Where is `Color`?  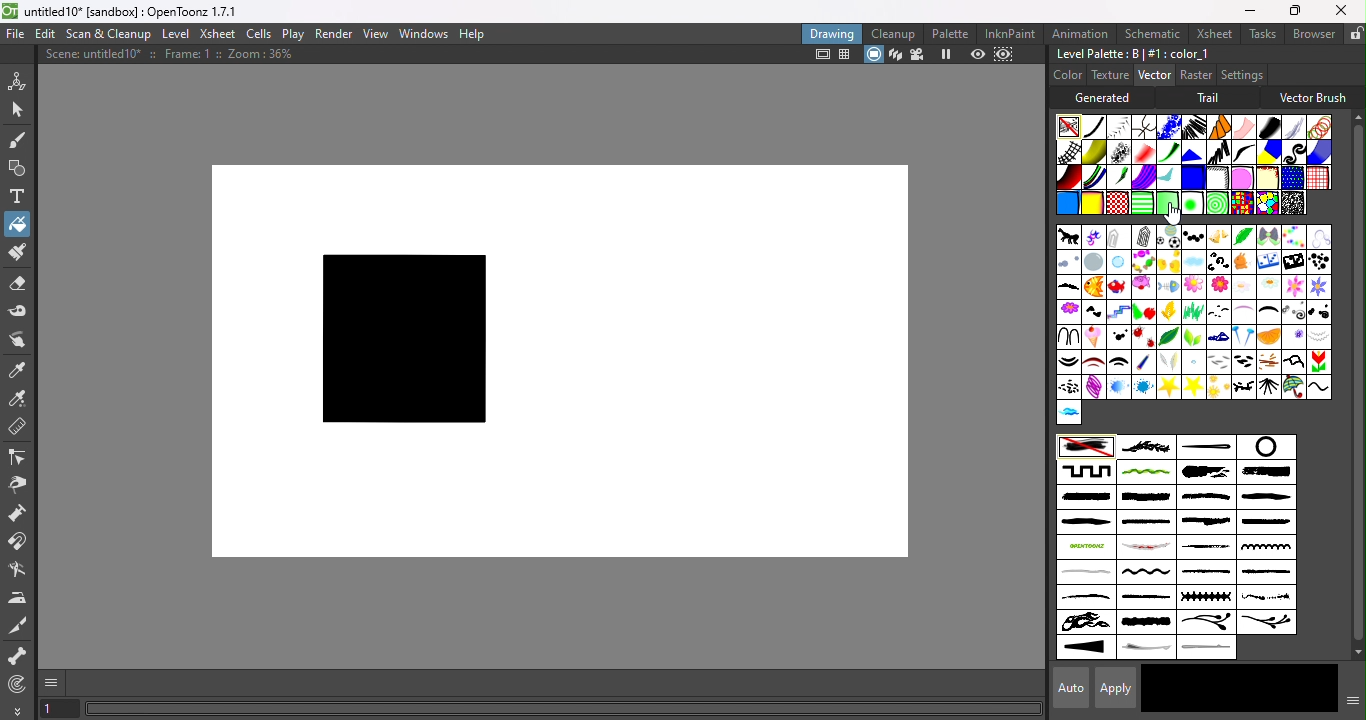 Color is located at coordinates (1068, 74).